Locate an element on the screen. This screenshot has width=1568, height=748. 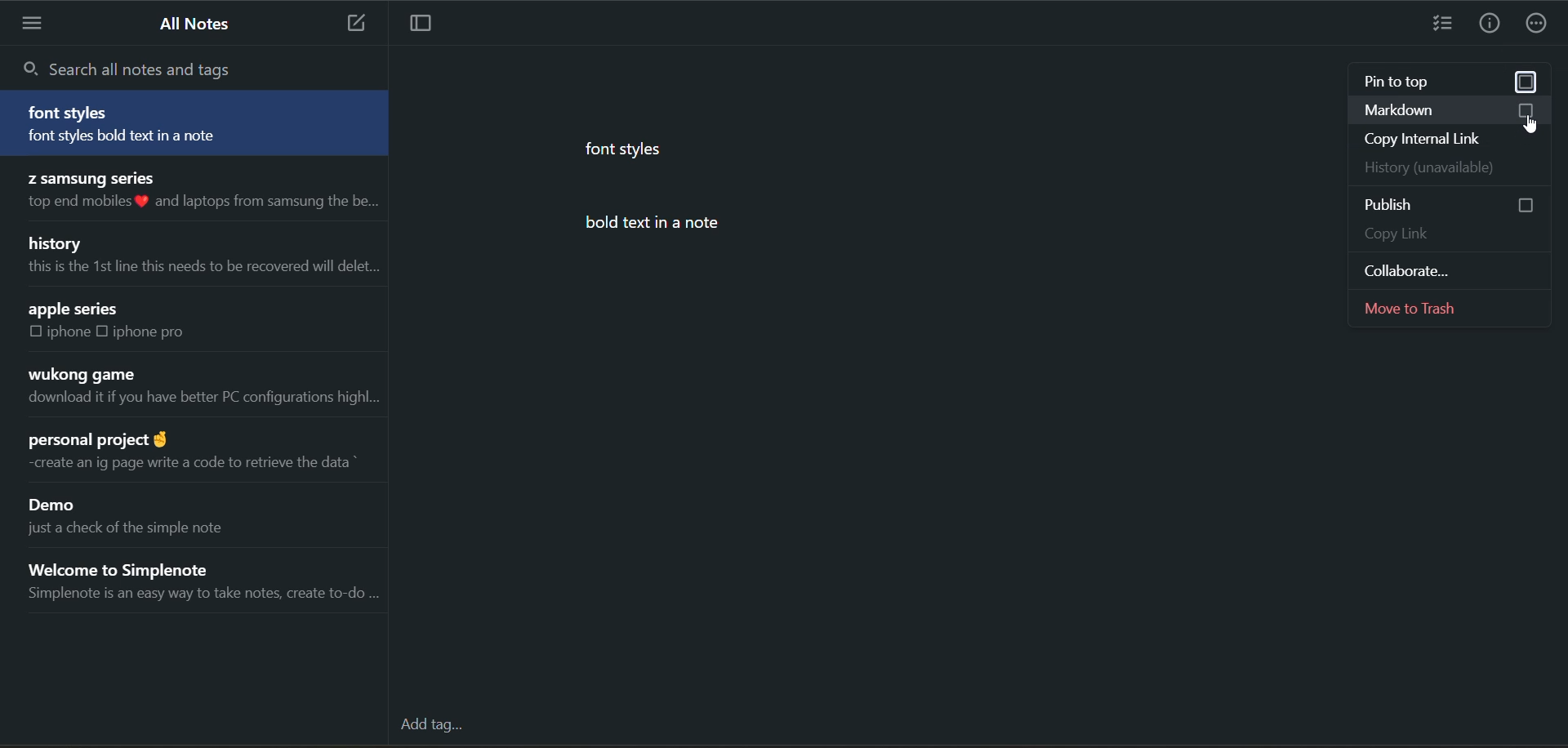
bold text in a note is located at coordinates (673, 225).